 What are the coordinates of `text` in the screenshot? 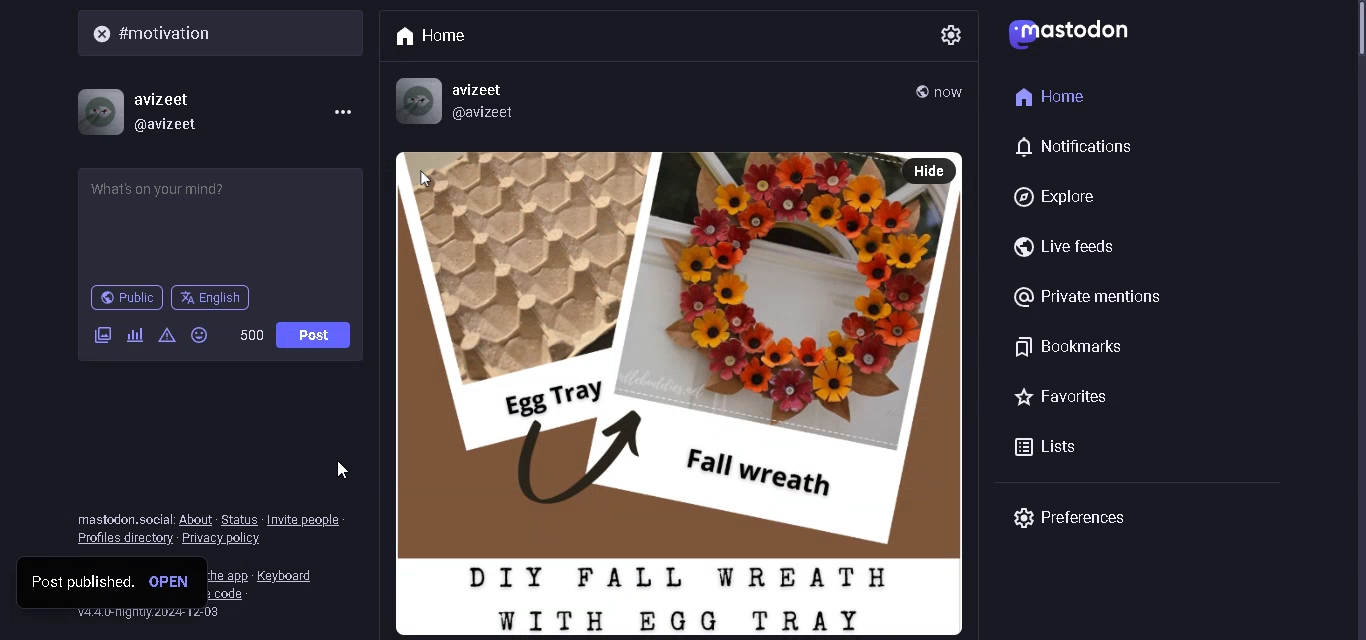 It's located at (123, 519).